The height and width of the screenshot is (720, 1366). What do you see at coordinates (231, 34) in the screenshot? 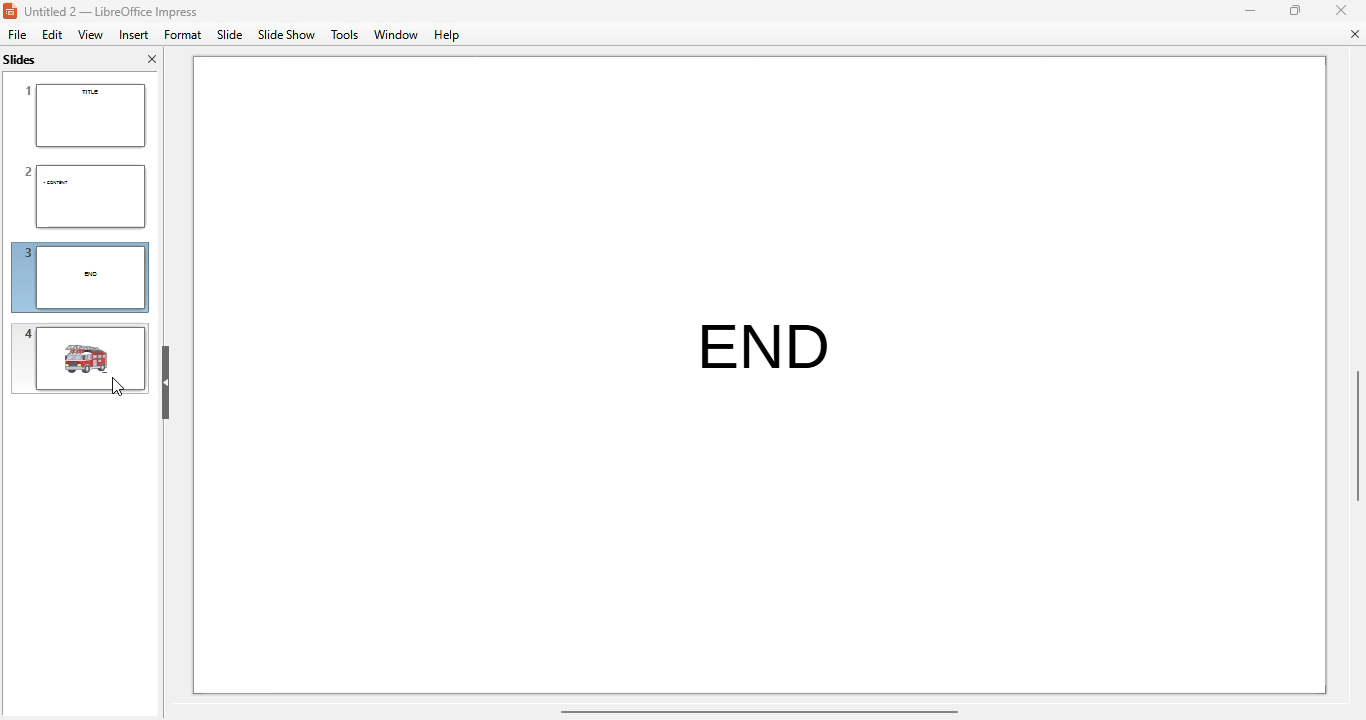
I see `slide` at bounding box center [231, 34].